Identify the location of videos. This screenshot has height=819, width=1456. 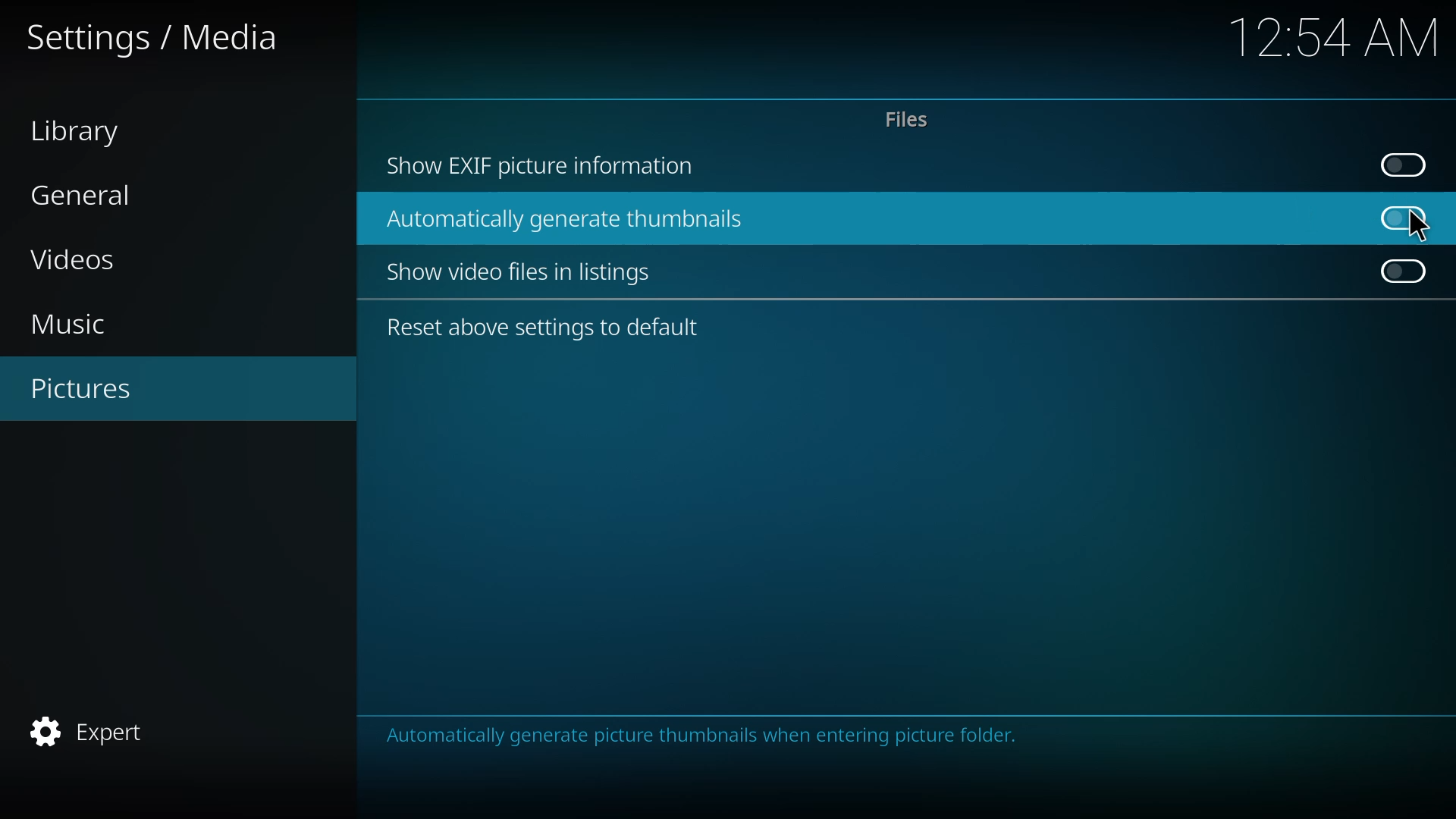
(100, 261).